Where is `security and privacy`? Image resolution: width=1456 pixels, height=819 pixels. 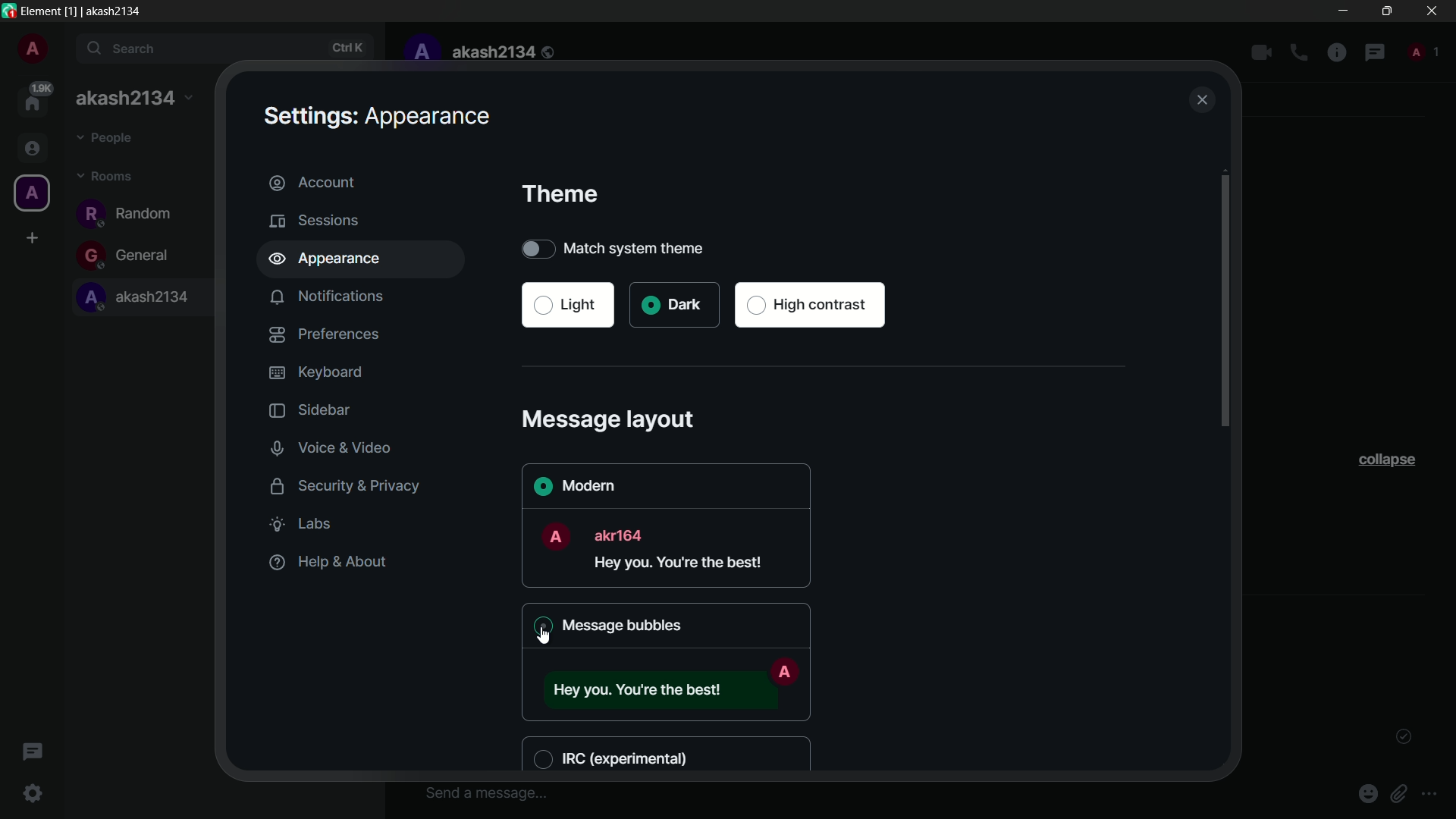 security and privacy is located at coordinates (338, 485).